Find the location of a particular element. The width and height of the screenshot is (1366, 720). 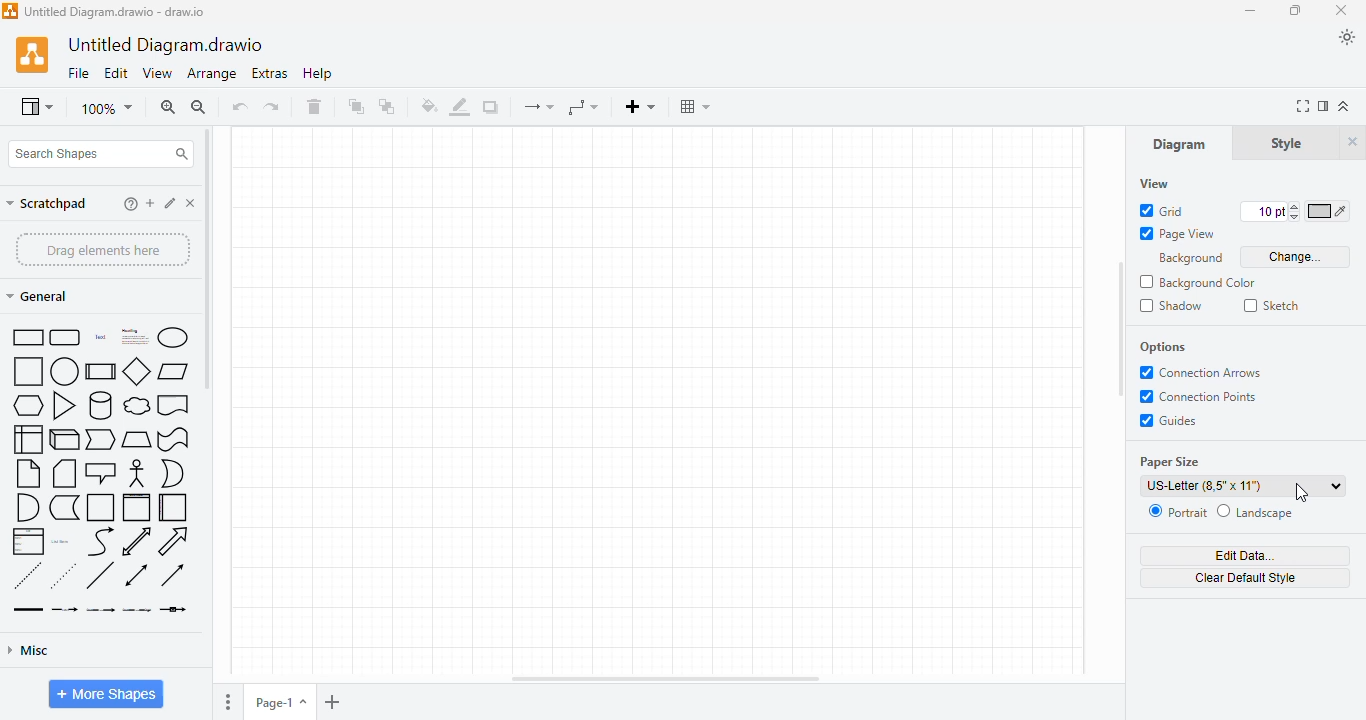

connection points is located at coordinates (1197, 397).